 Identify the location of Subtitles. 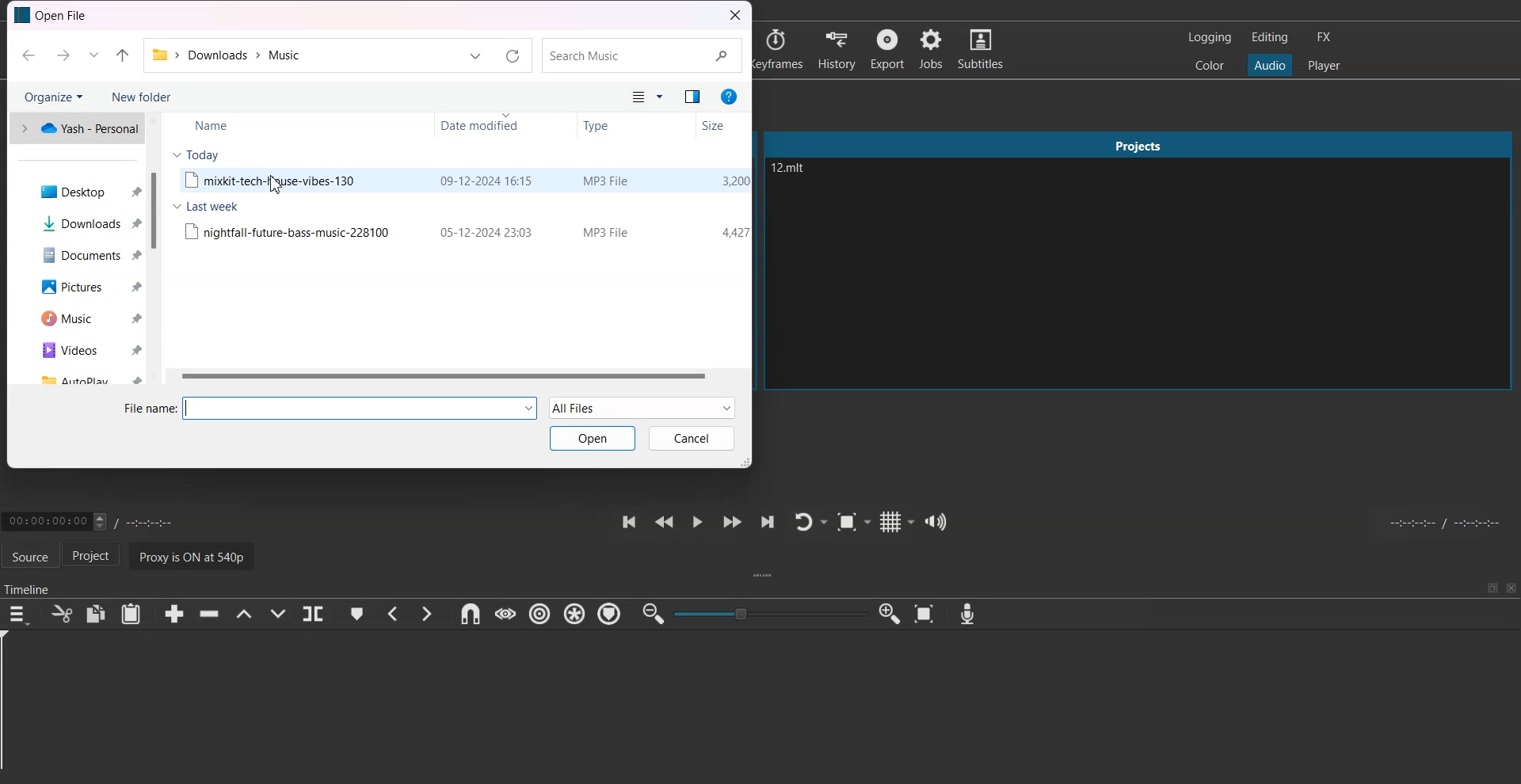
(984, 49).